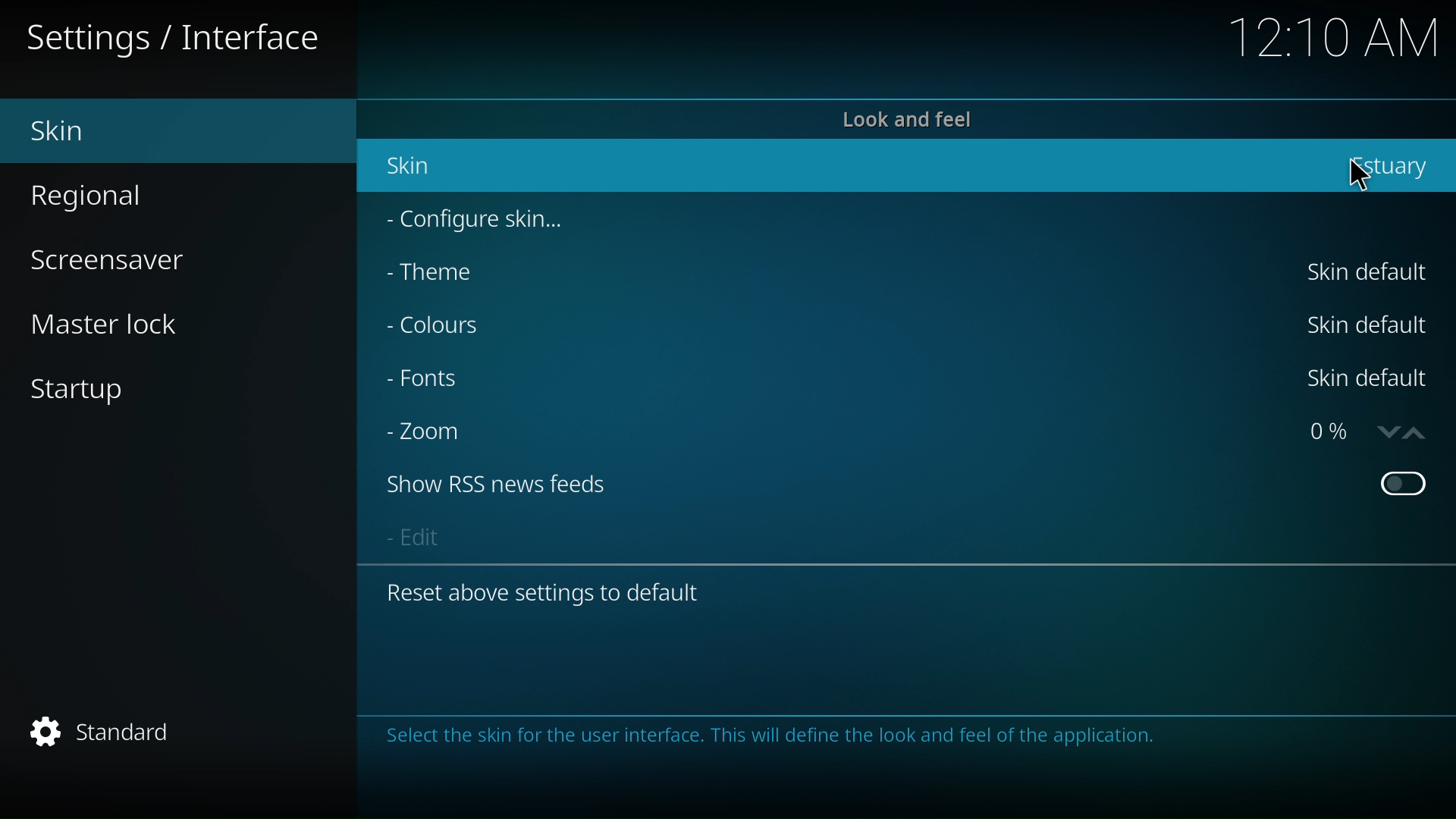 This screenshot has width=1456, height=819. I want to click on Skin default, so click(1364, 328).